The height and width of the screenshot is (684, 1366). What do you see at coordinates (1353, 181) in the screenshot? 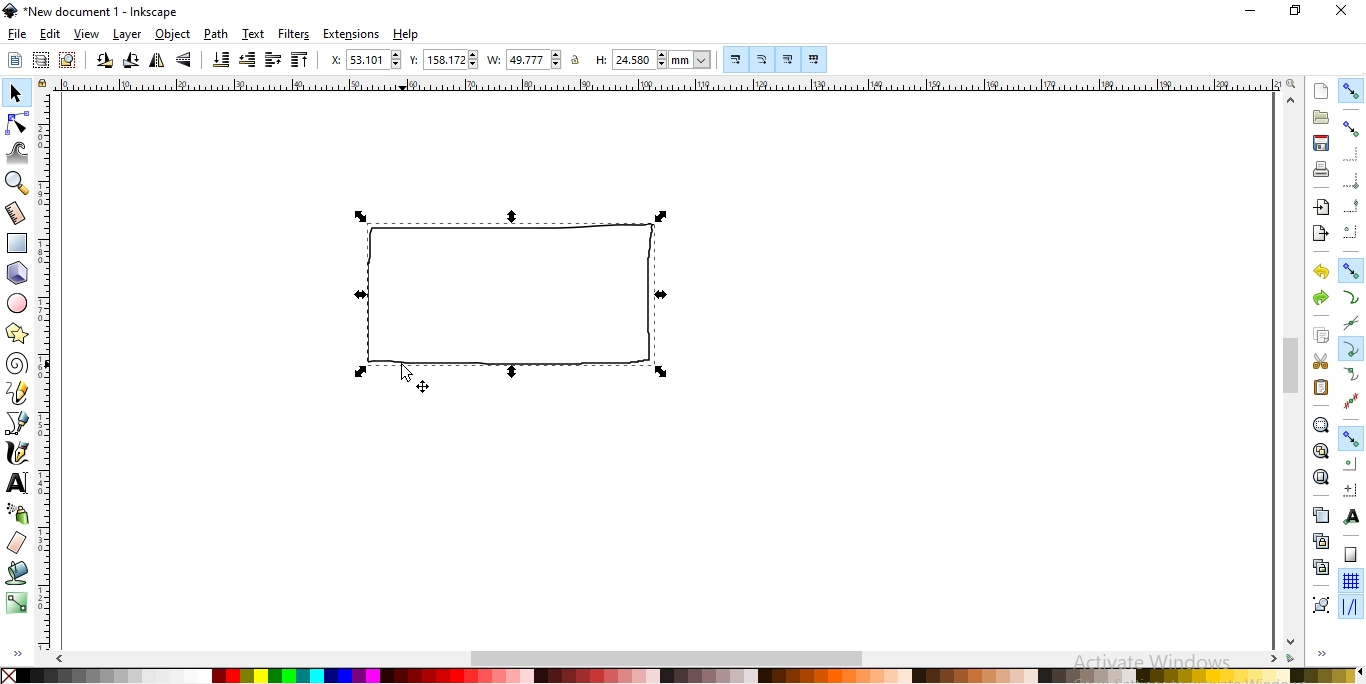
I see `snap bounding box corners` at bounding box center [1353, 181].